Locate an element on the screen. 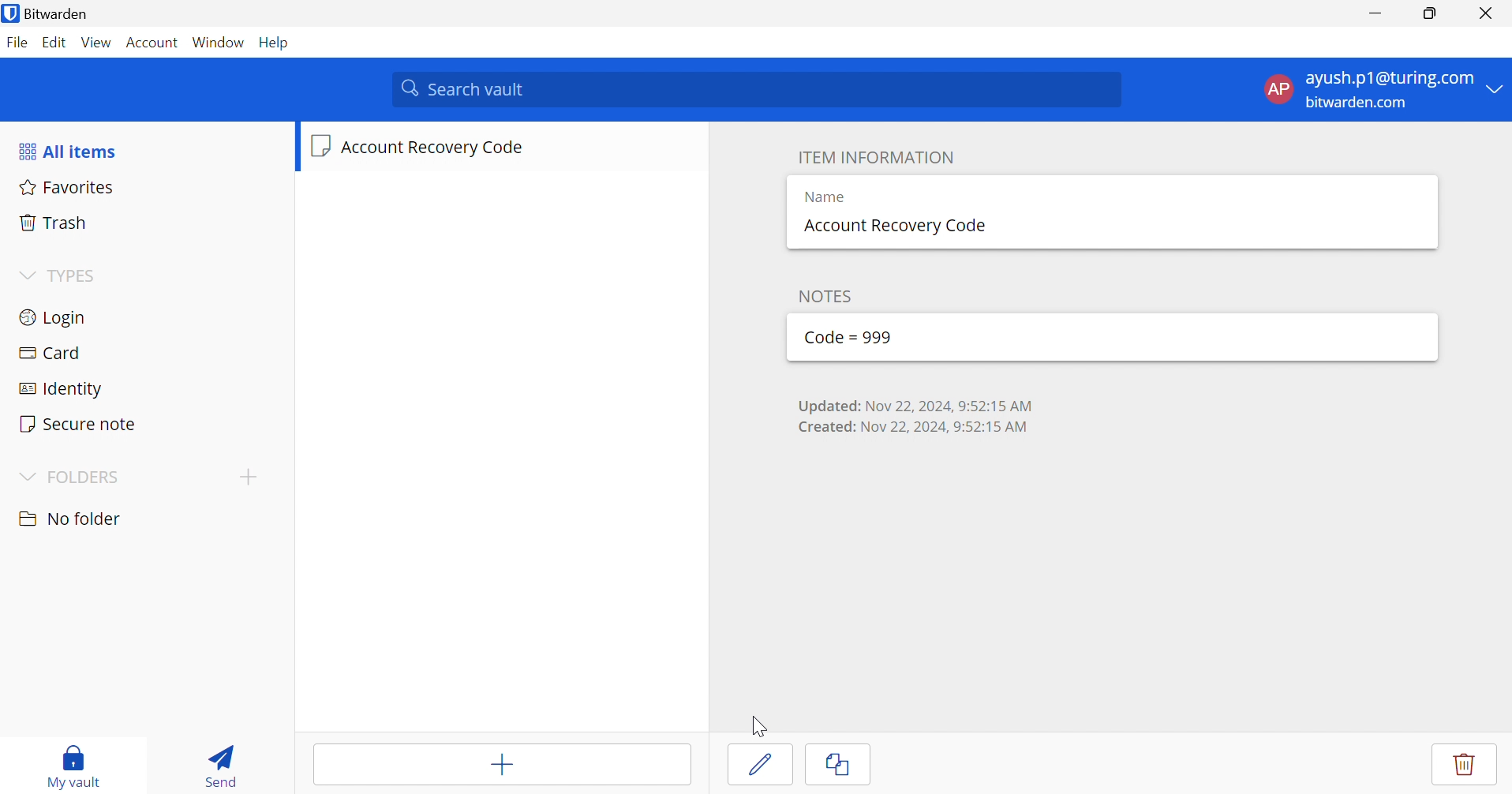 The image size is (1512, 794). ayush.p1@turing.com is located at coordinates (1389, 79).